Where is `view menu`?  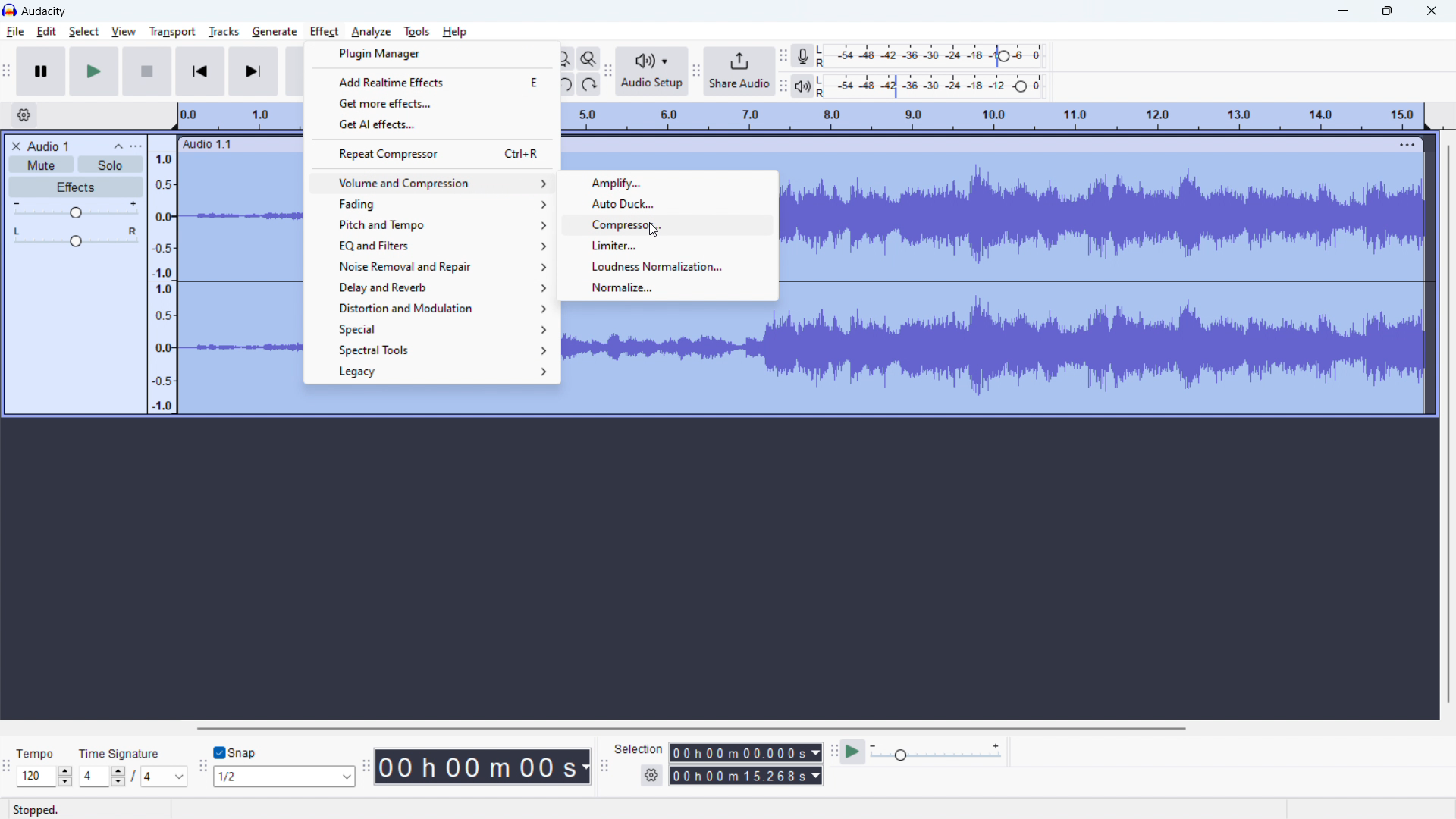
view menu is located at coordinates (135, 146).